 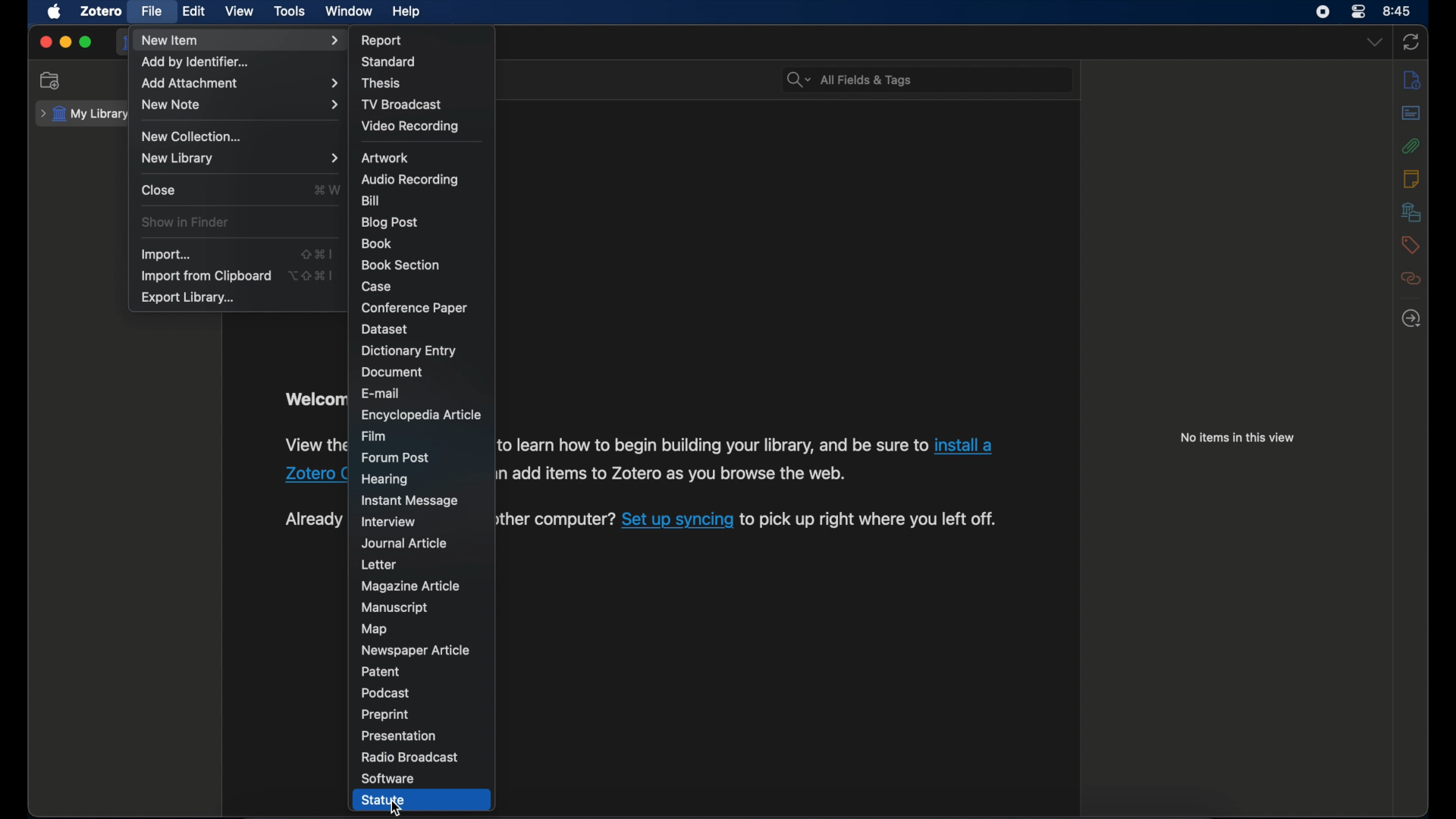 What do you see at coordinates (388, 222) in the screenshot?
I see `blog post` at bounding box center [388, 222].